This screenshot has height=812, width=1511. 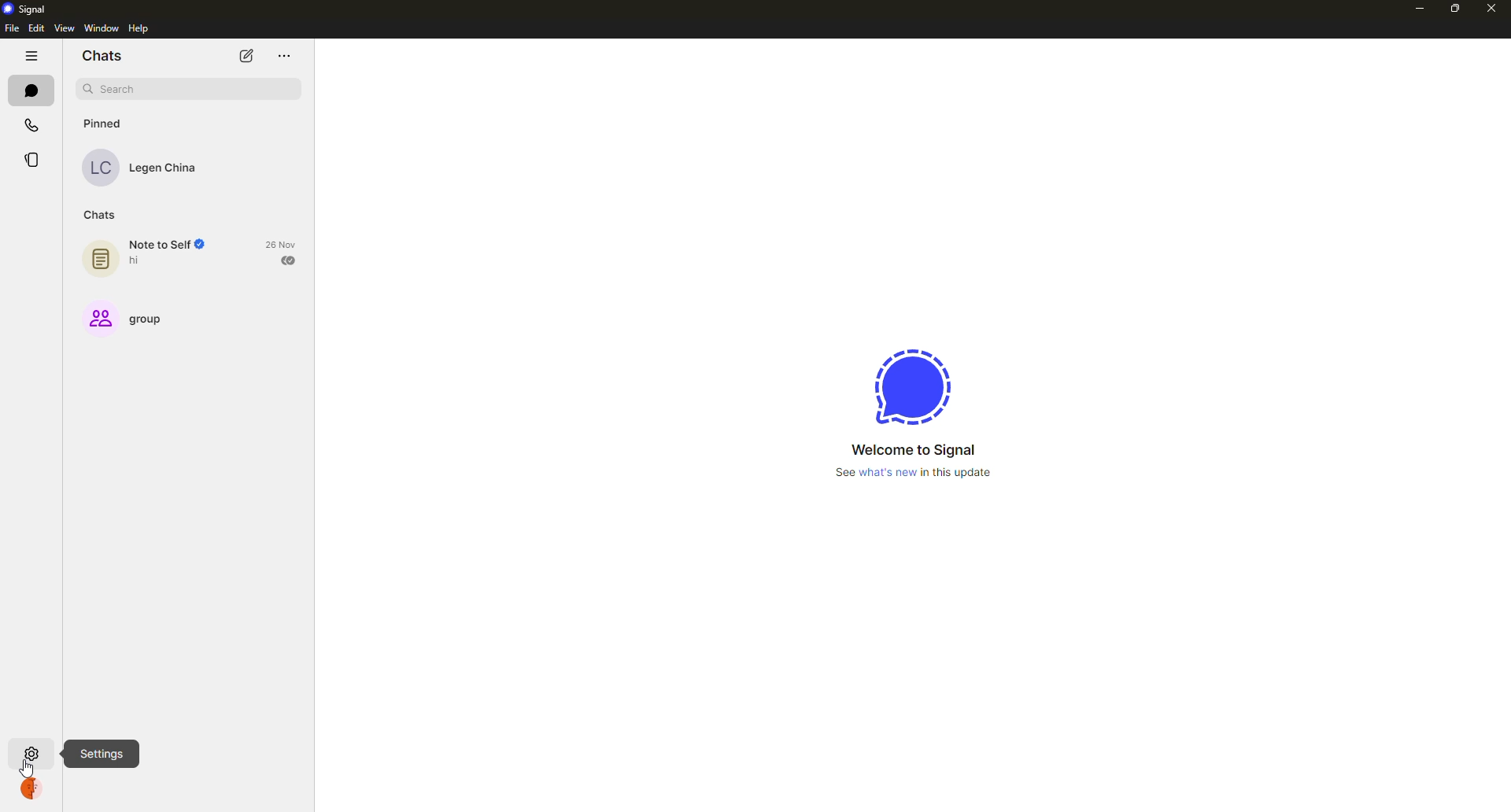 What do you see at coordinates (283, 244) in the screenshot?
I see `date` at bounding box center [283, 244].